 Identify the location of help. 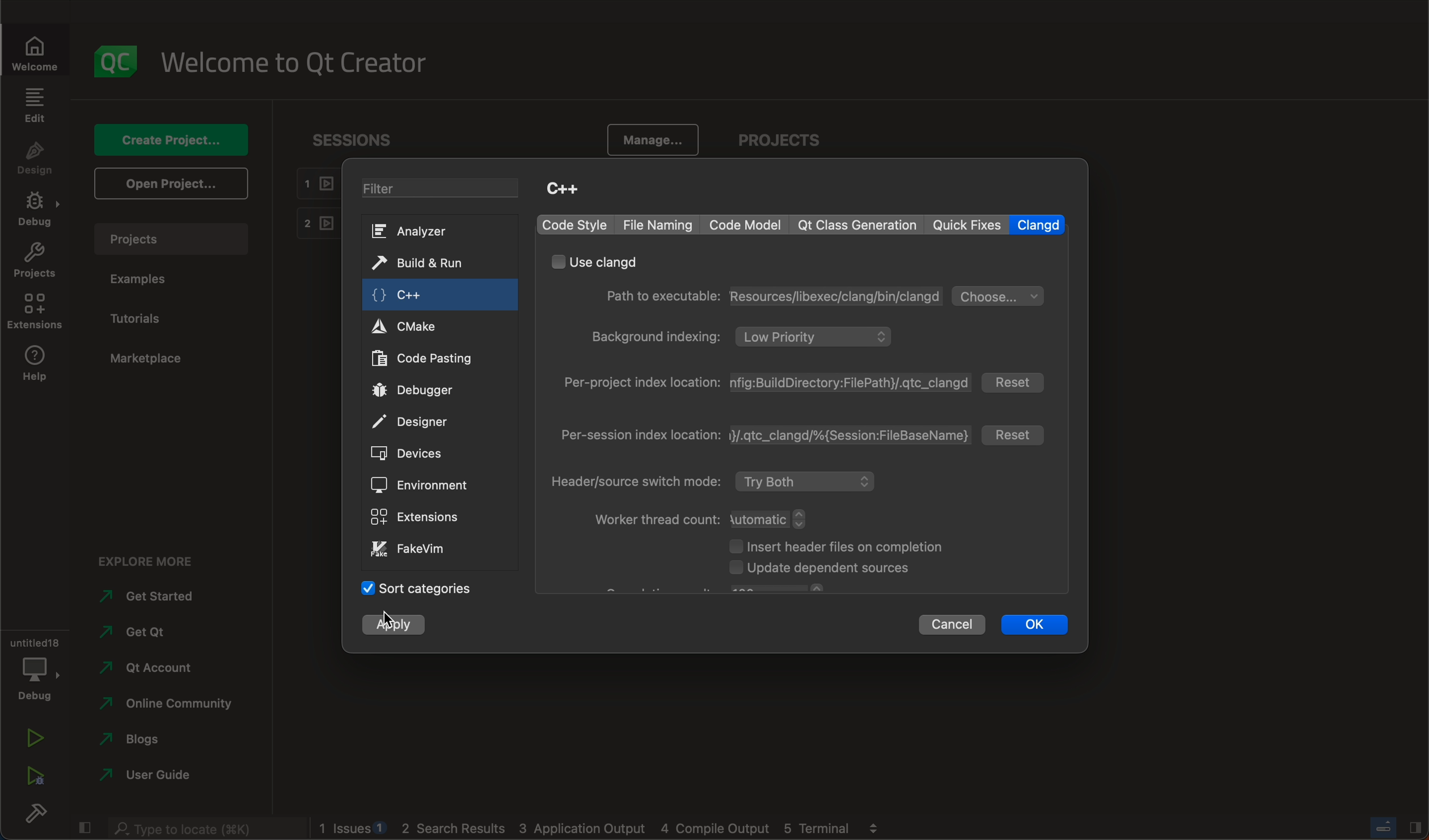
(419, 421).